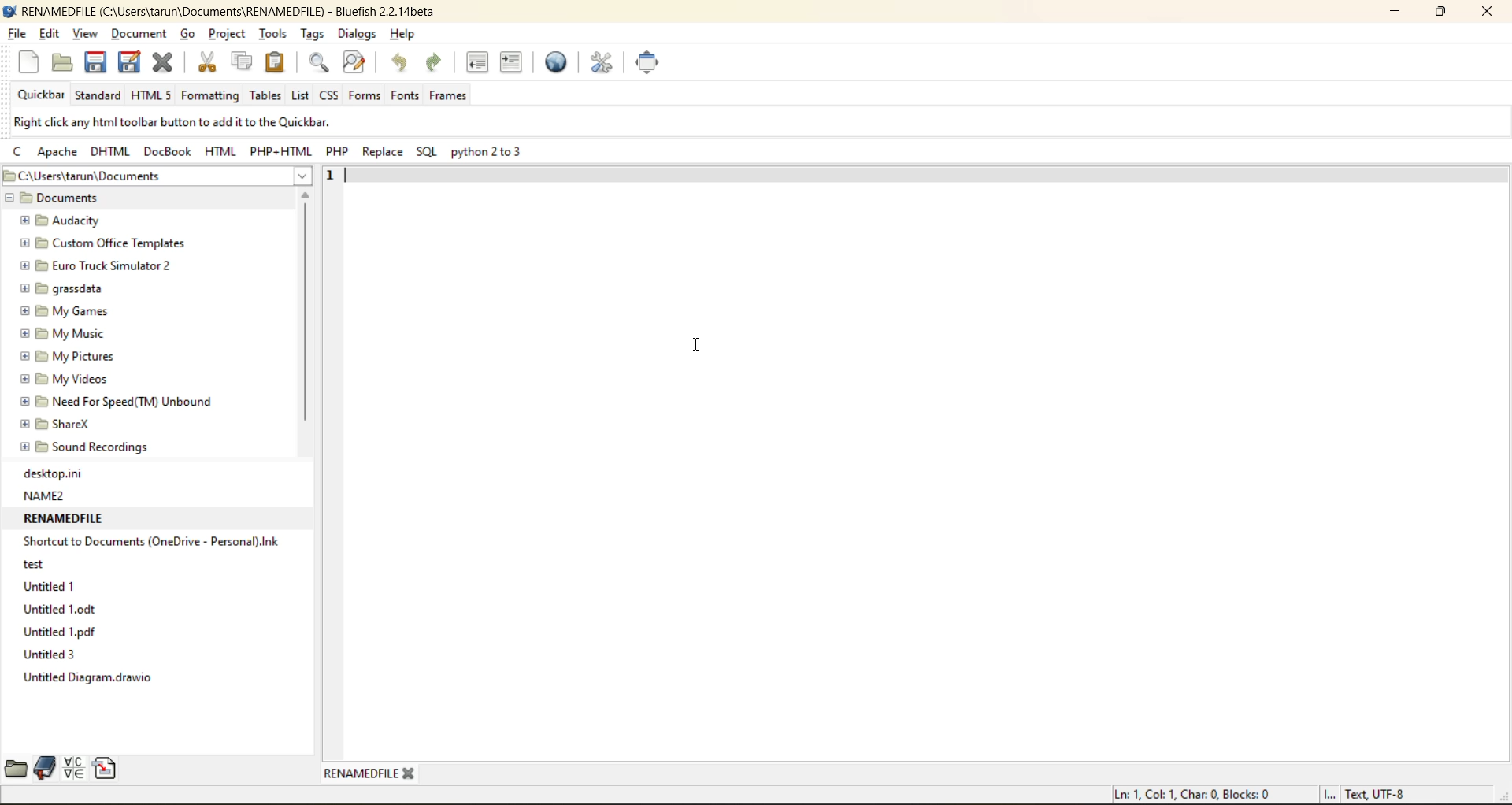 This screenshot has height=805, width=1512. Describe the element at coordinates (99, 267) in the screenshot. I see `Euro Truck Simulator 2` at that location.